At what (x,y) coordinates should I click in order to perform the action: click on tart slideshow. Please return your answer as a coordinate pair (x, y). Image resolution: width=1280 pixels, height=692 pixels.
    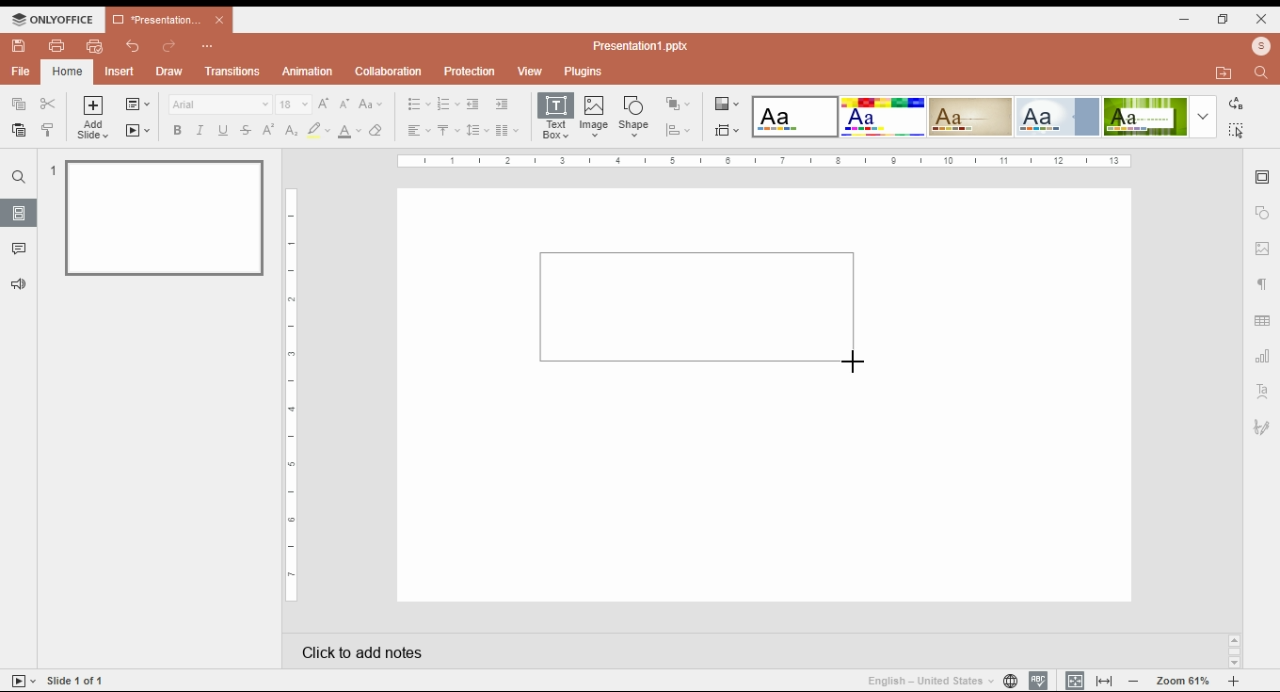
    Looking at the image, I should click on (24, 680).